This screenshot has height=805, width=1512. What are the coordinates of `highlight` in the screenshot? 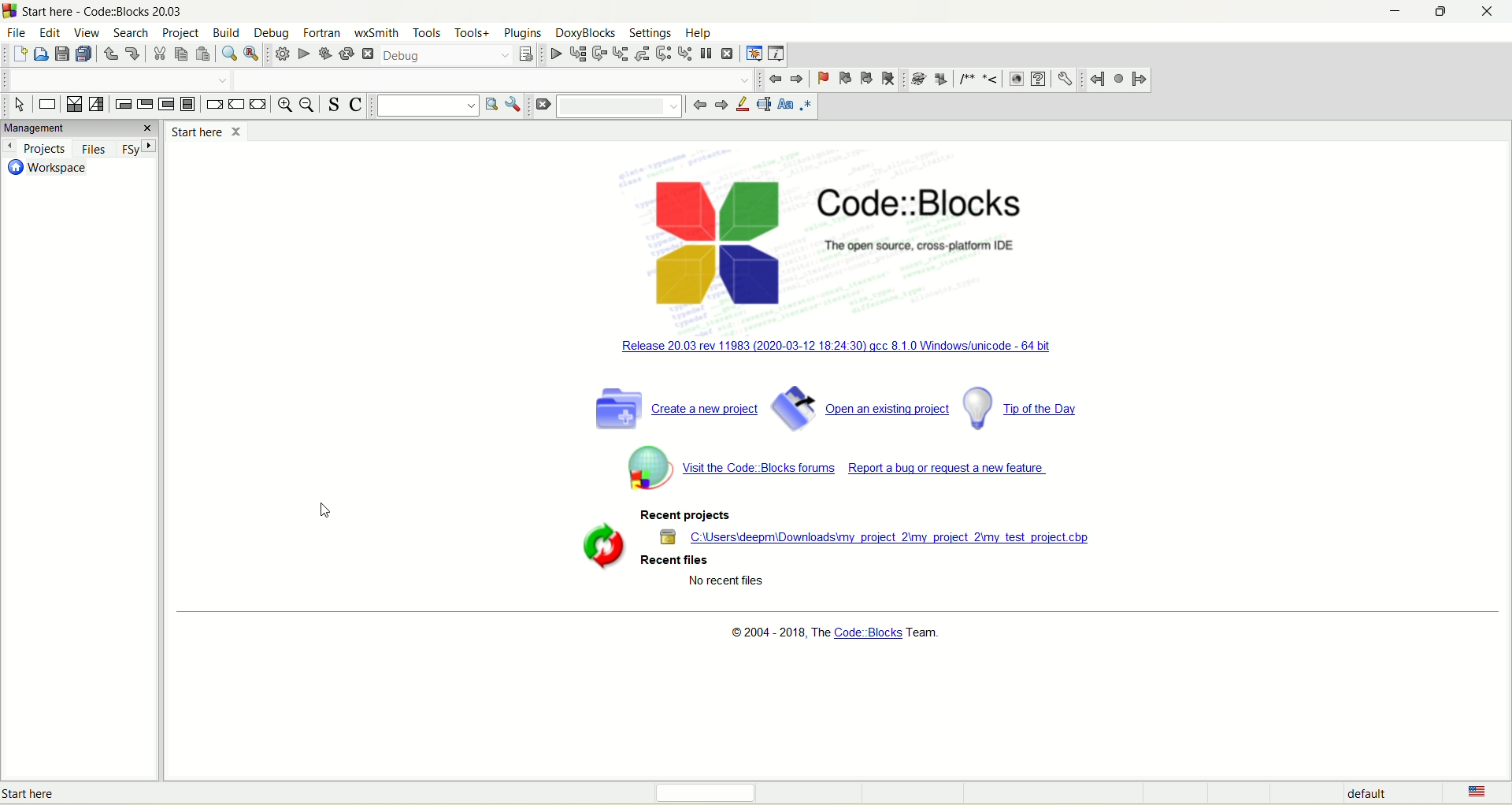 It's located at (745, 105).